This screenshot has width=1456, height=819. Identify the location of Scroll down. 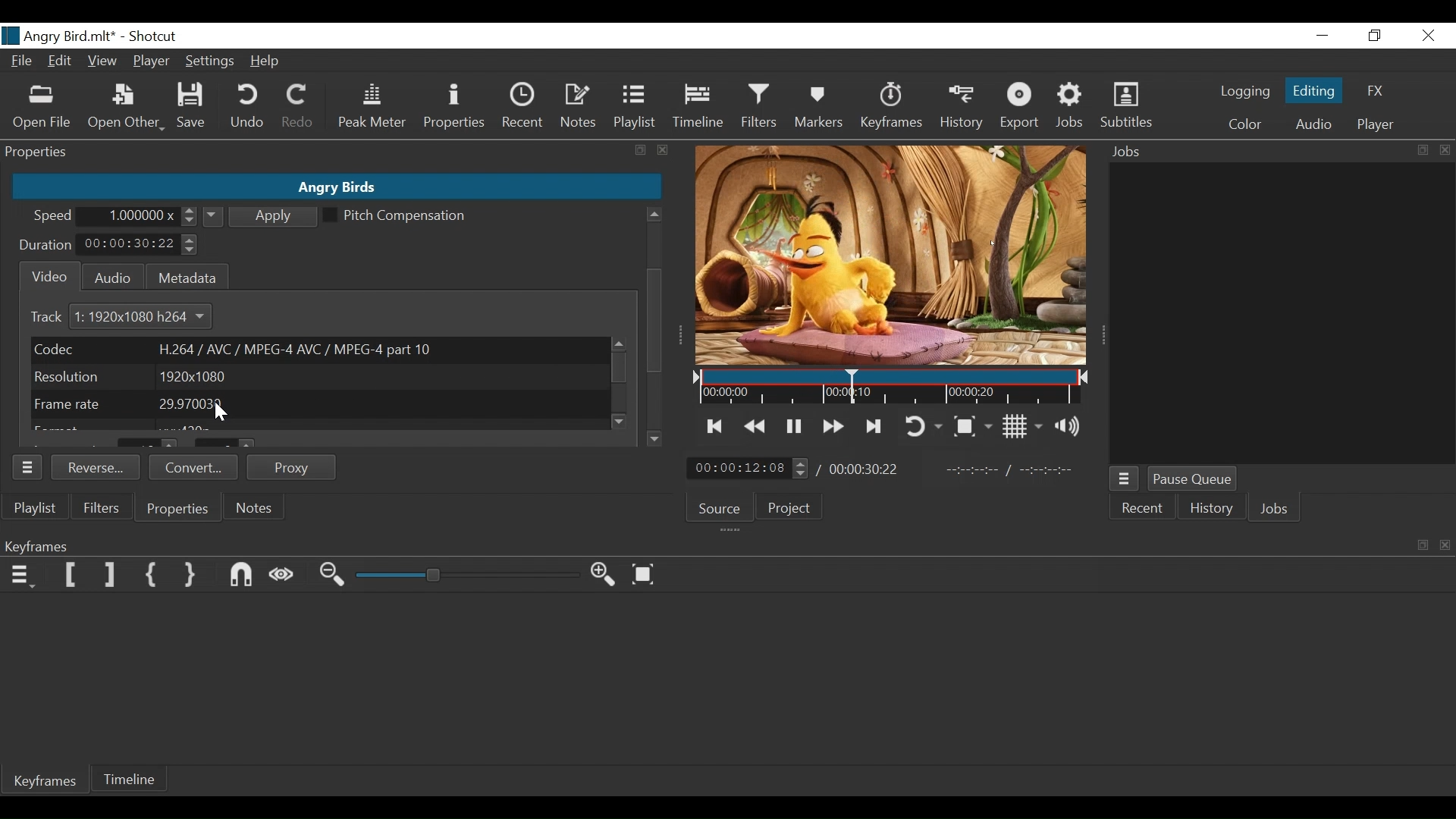
(622, 421).